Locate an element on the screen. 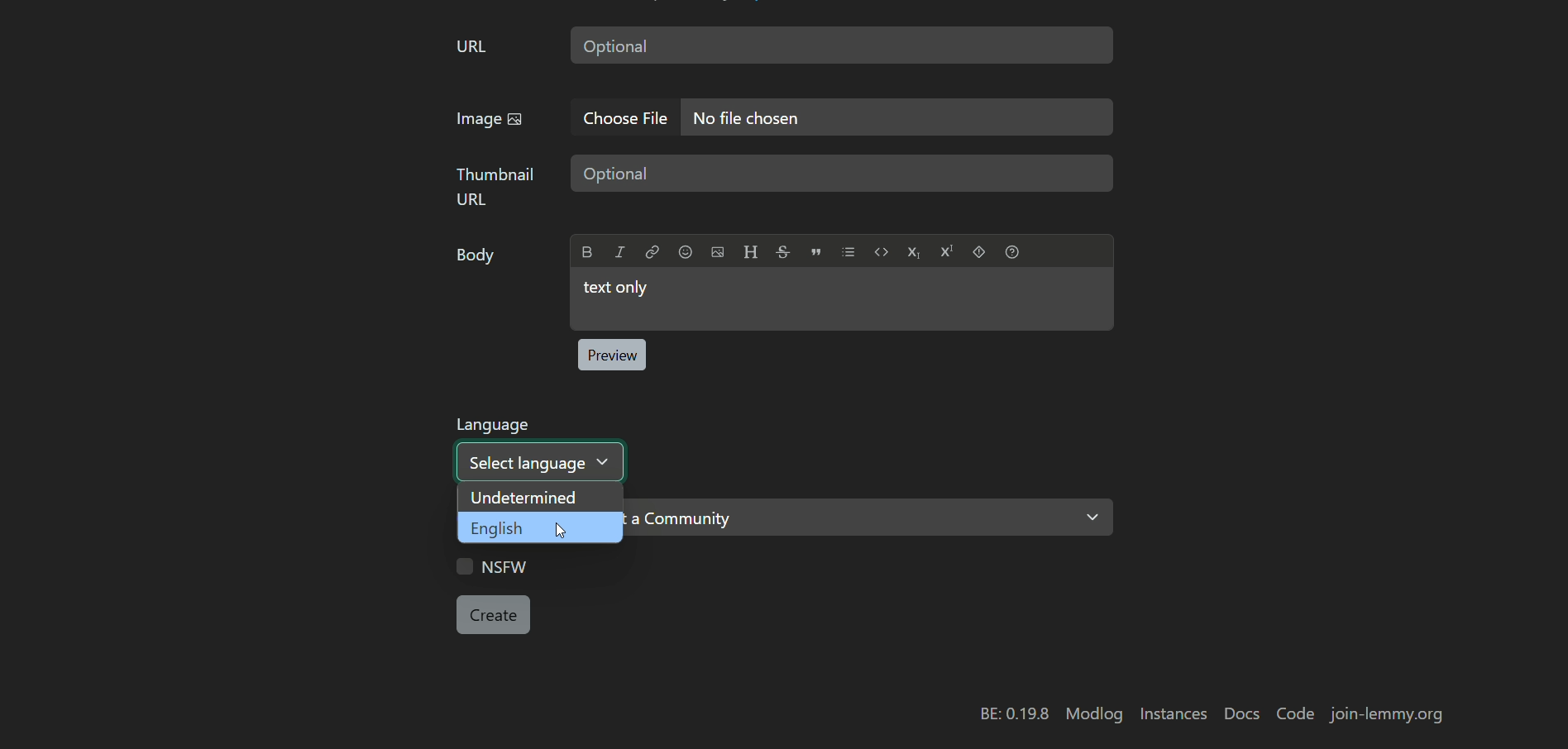 This screenshot has height=749, width=1568. docs is located at coordinates (1242, 715).